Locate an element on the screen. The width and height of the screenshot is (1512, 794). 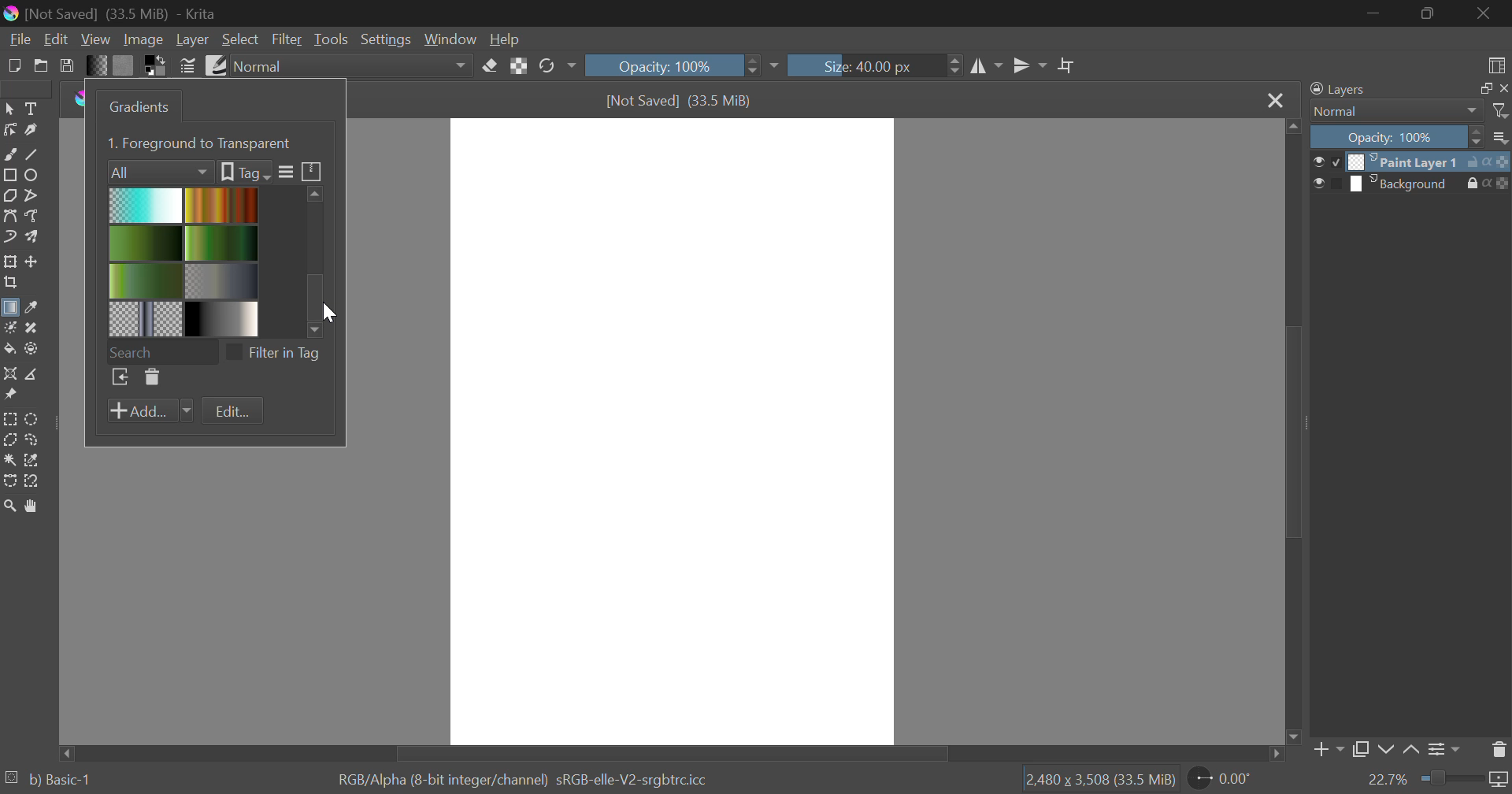
Crop Layer is located at coordinates (9, 284).